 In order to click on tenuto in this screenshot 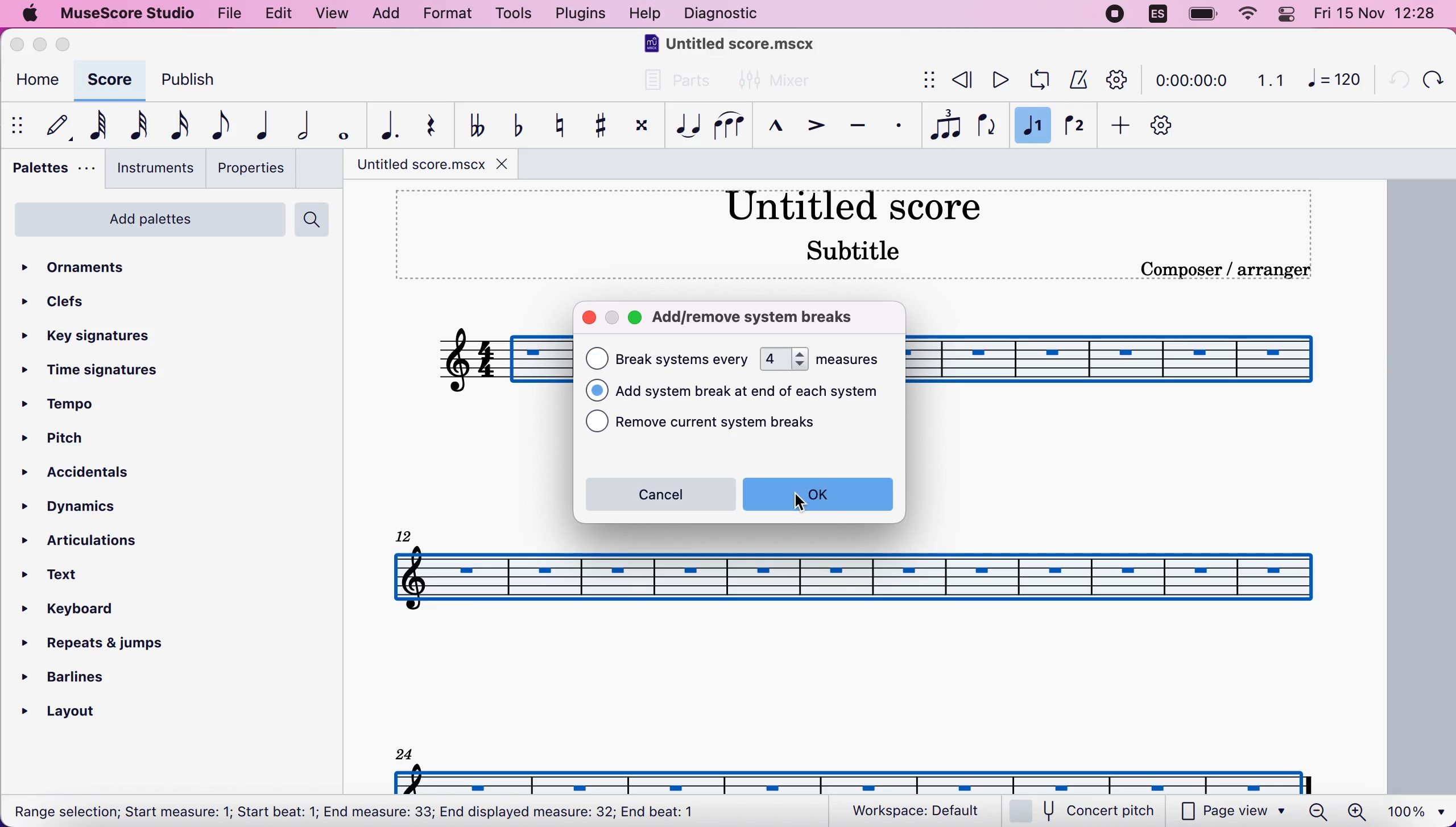, I will do `click(857, 126)`.